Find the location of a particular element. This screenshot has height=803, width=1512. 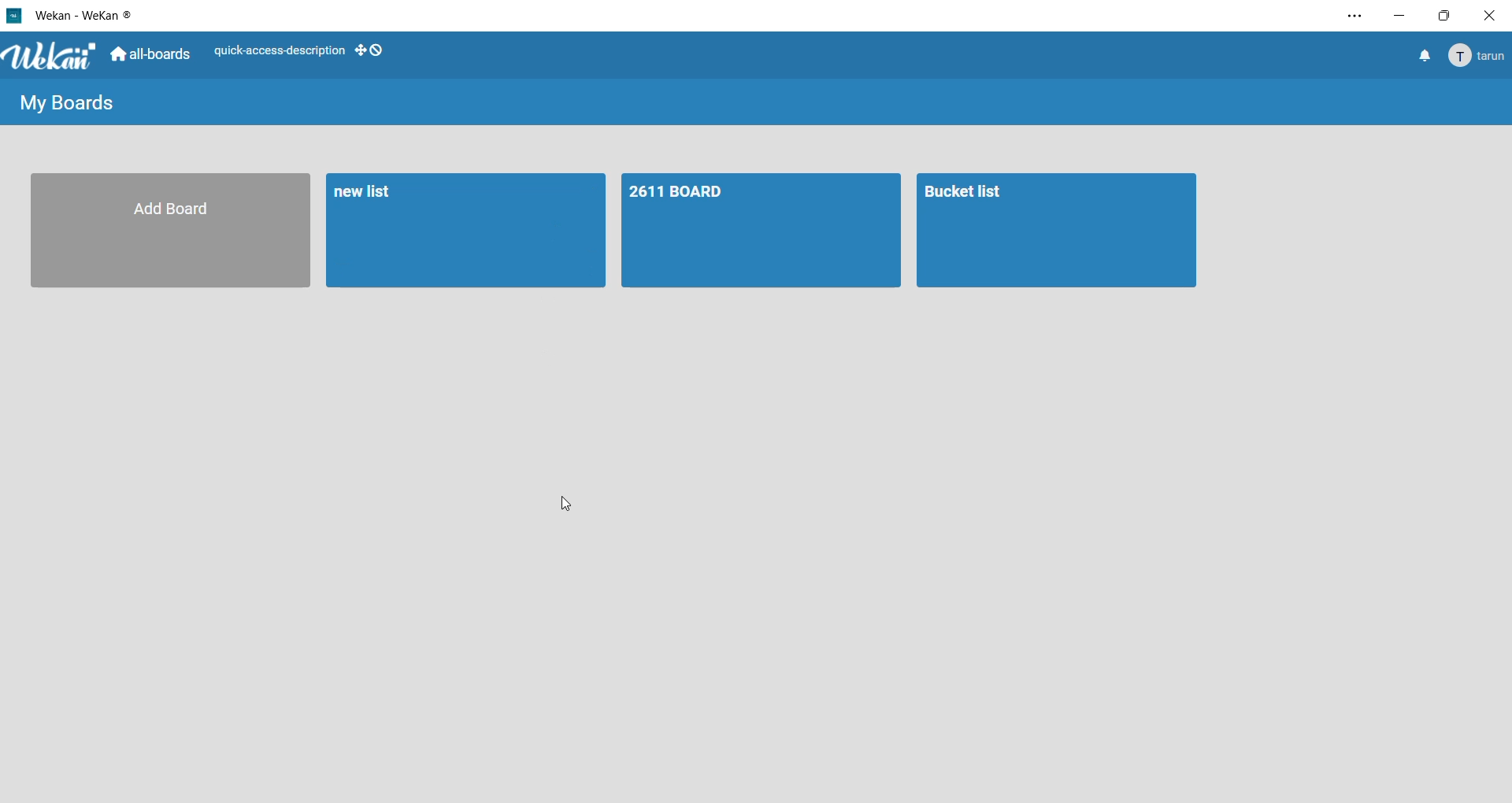

settings and more is located at coordinates (1351, 17).